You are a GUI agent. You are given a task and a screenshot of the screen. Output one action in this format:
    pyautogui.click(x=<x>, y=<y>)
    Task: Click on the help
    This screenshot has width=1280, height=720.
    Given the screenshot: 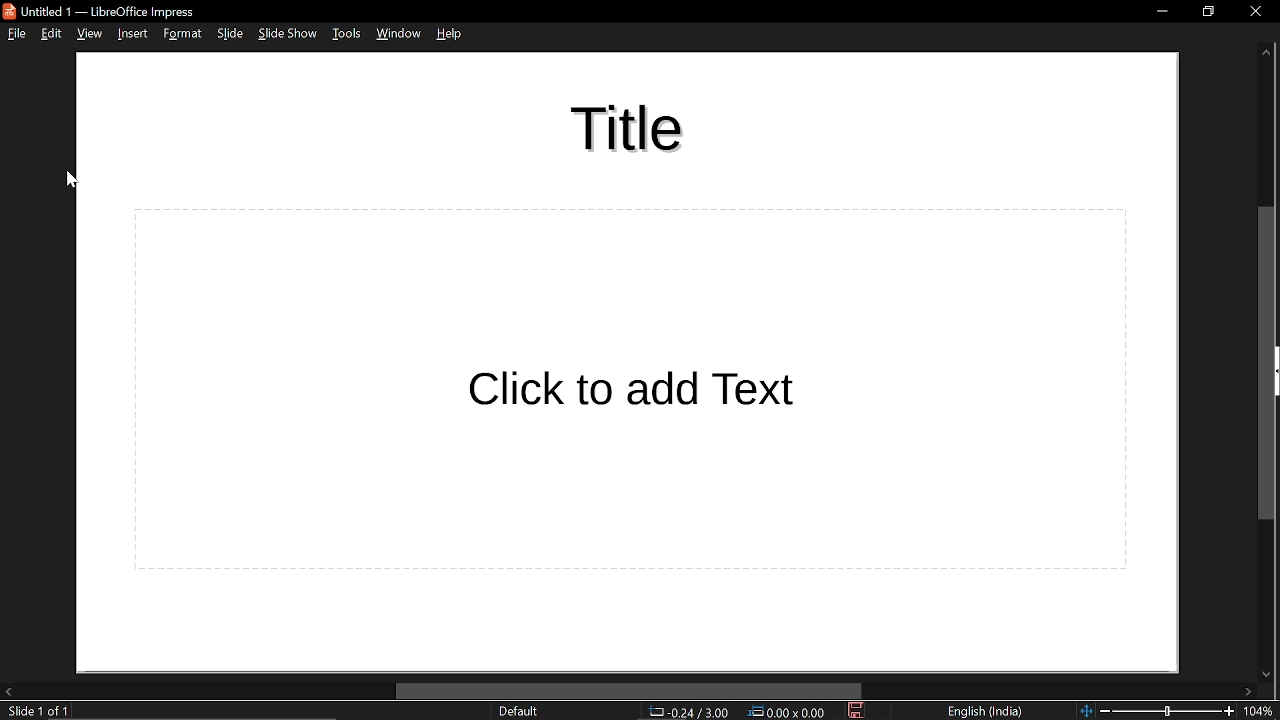 What is the action you would take?
    pyautogui.click(x=454, y=33)
    